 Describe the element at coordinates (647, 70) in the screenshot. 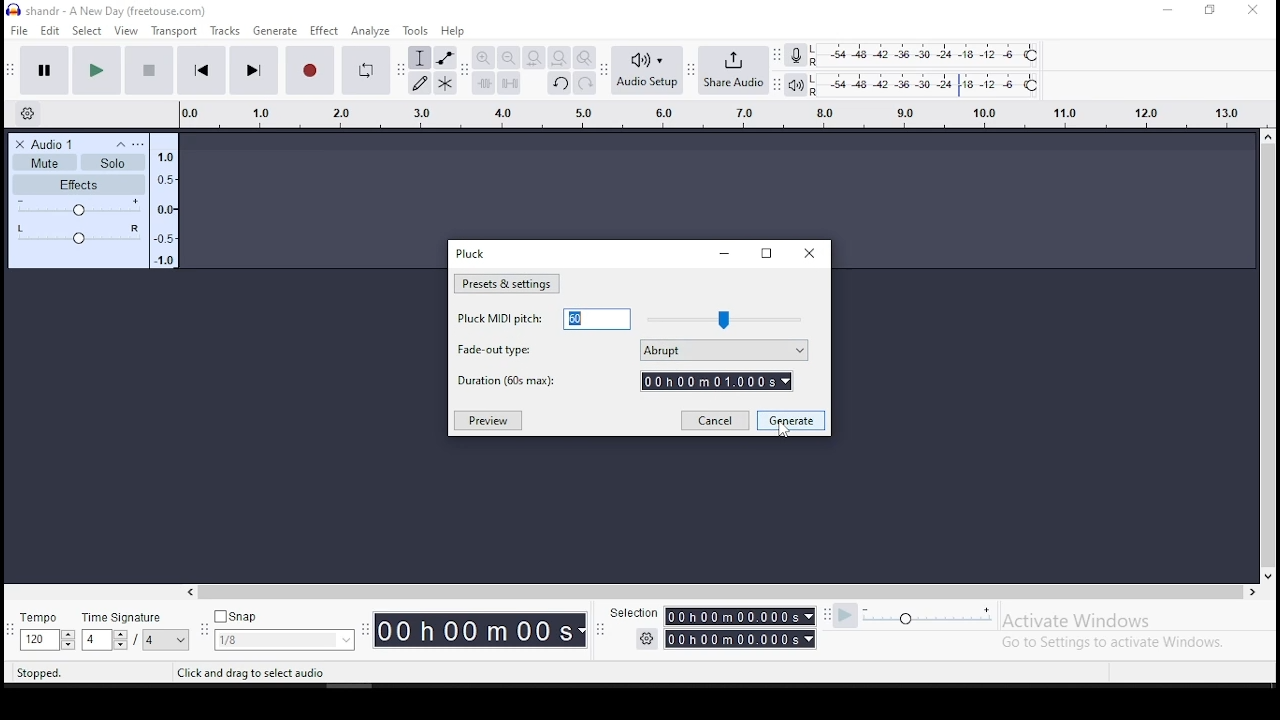

I see `audio setup` at that location.